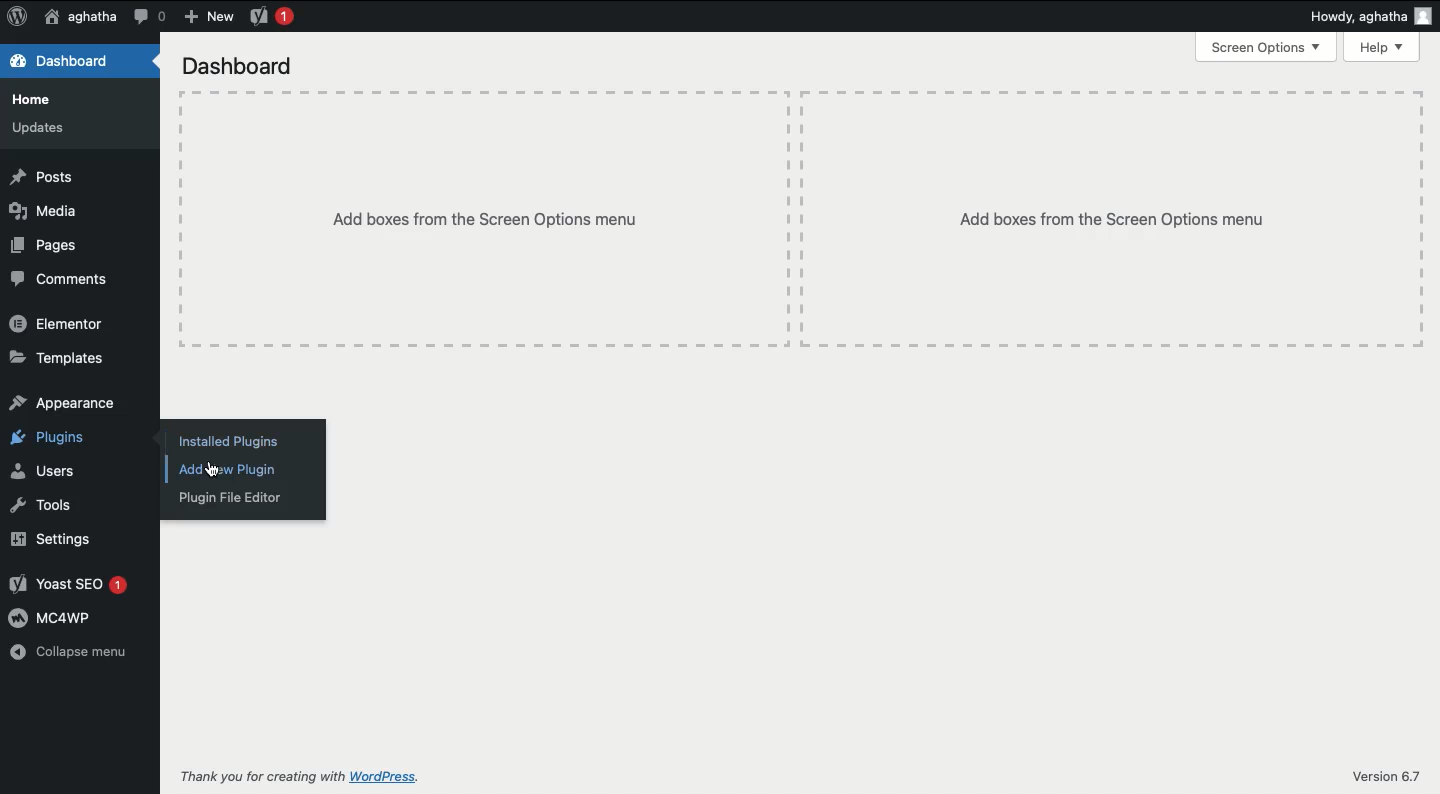 This screenshot has height=794, width=1440. Describe the element at coordinates (55, 619) in the screenshot. I see `MC4WP` at that location.